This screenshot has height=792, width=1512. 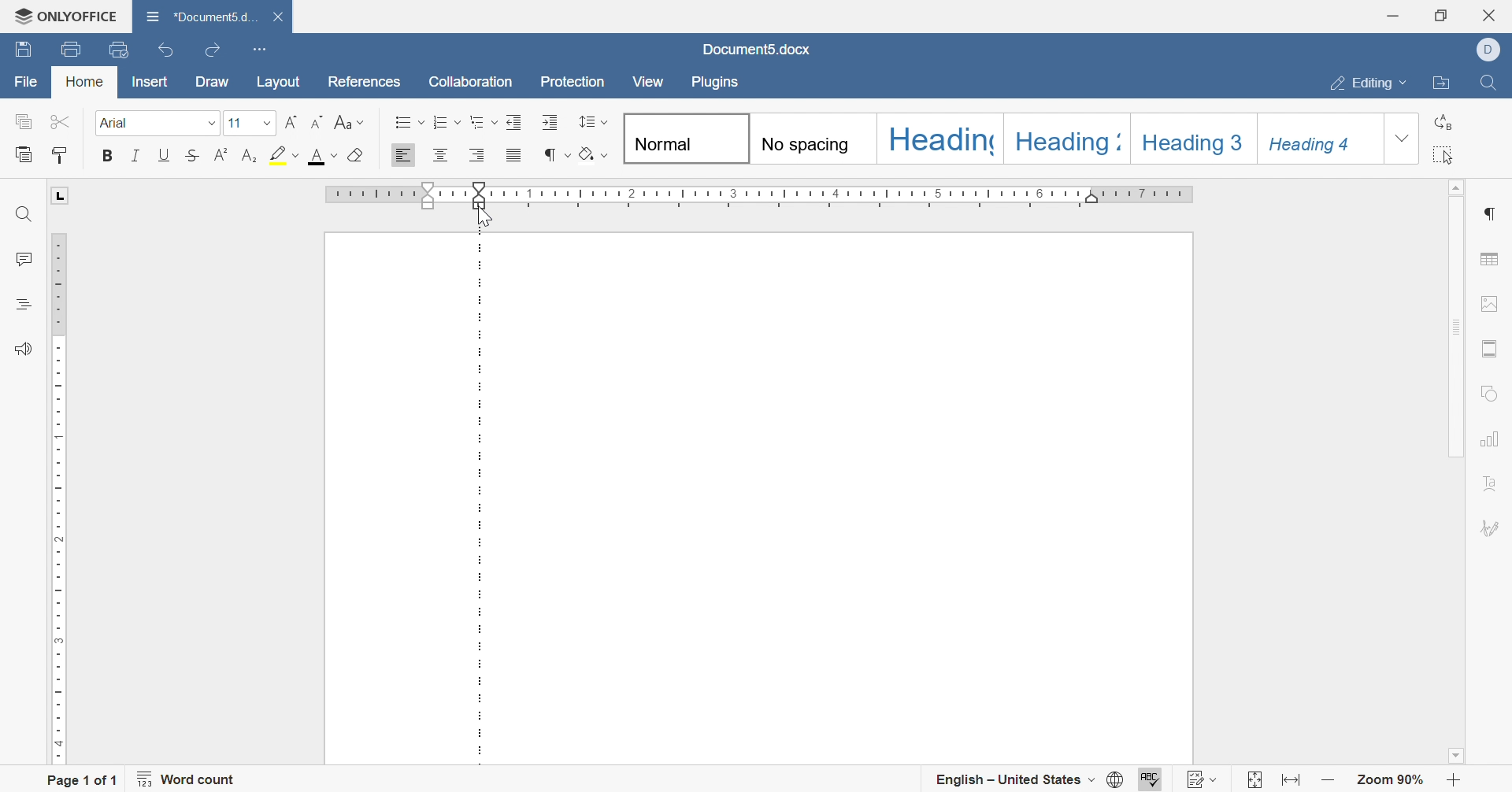 What do you see at coordinates (284, 154) in the screenshot?
I see `highlight` at bounding box center [284, 154].